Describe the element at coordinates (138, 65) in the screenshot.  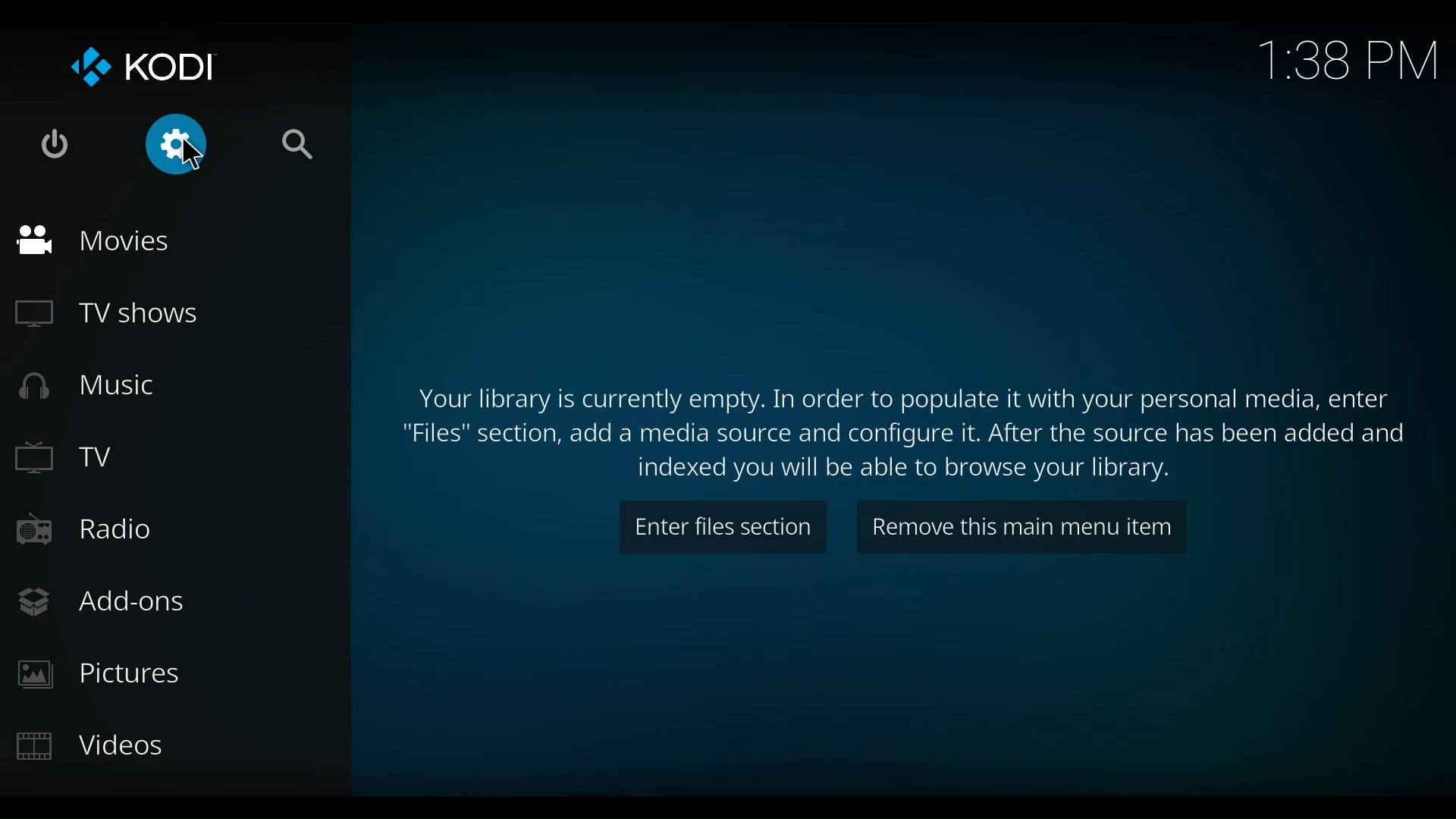
I see `Kodi` at that location.